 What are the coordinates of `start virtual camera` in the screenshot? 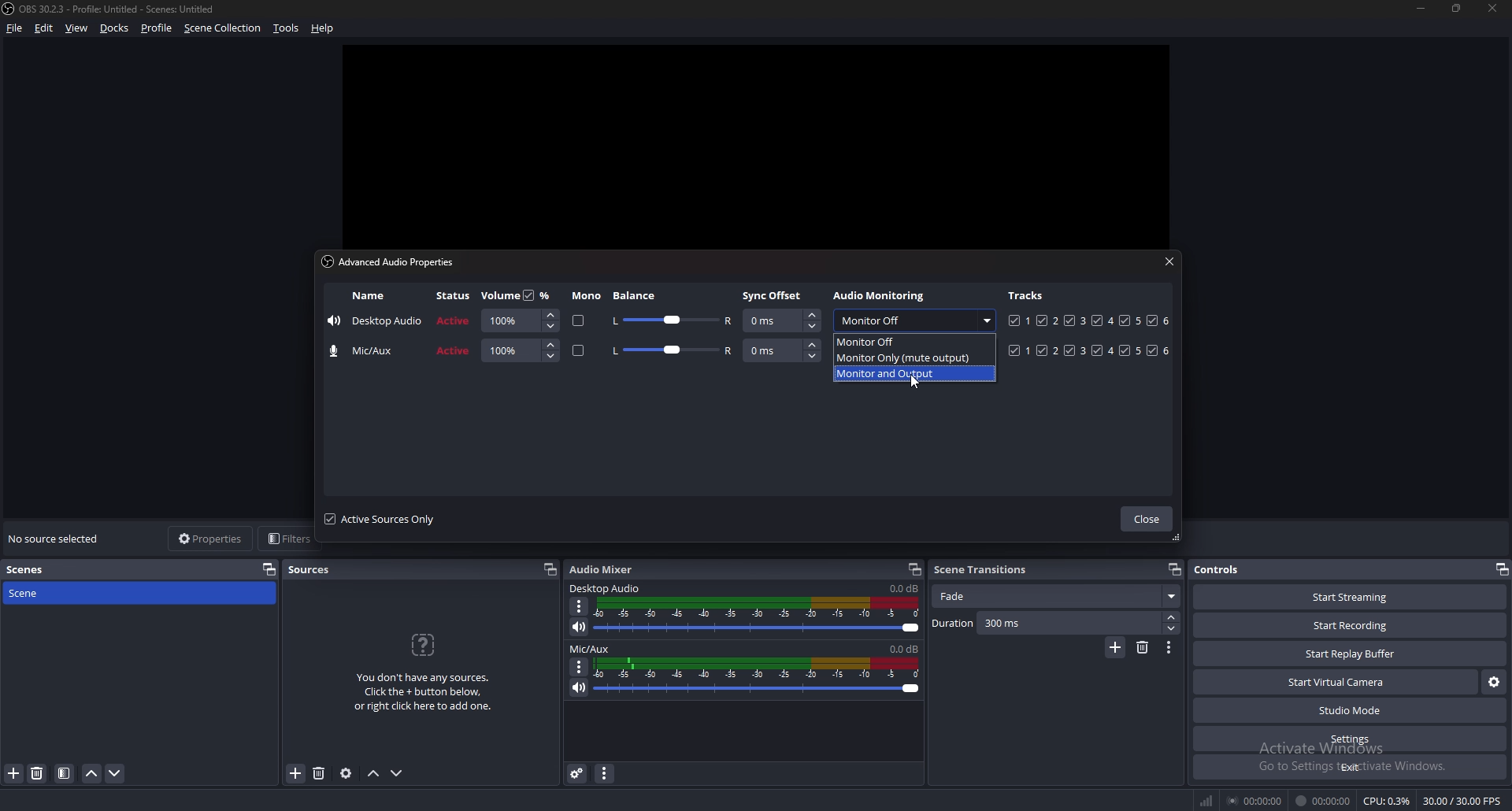 It's located at (1336, 683).